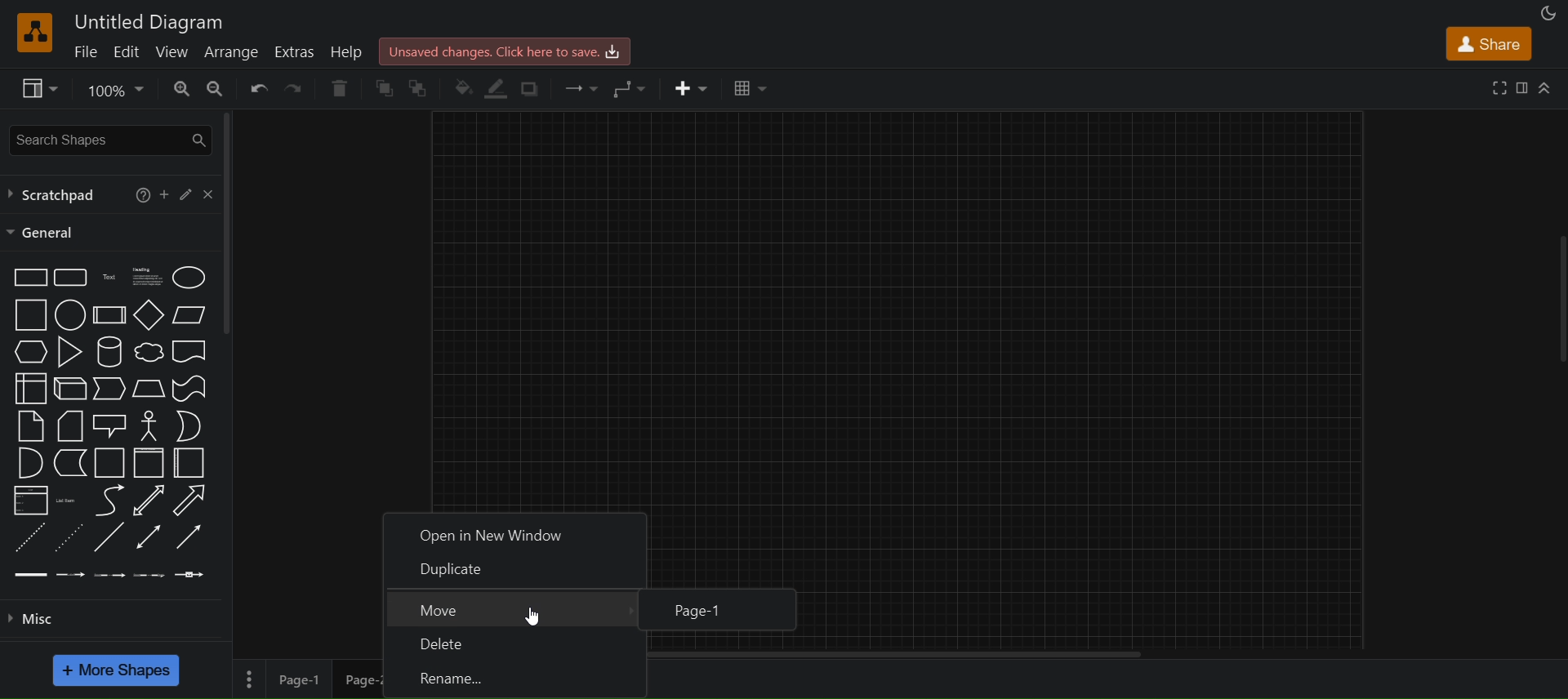  Describe the element at coordinates (67, 501) in the screenshot. I see `list item` at that location.